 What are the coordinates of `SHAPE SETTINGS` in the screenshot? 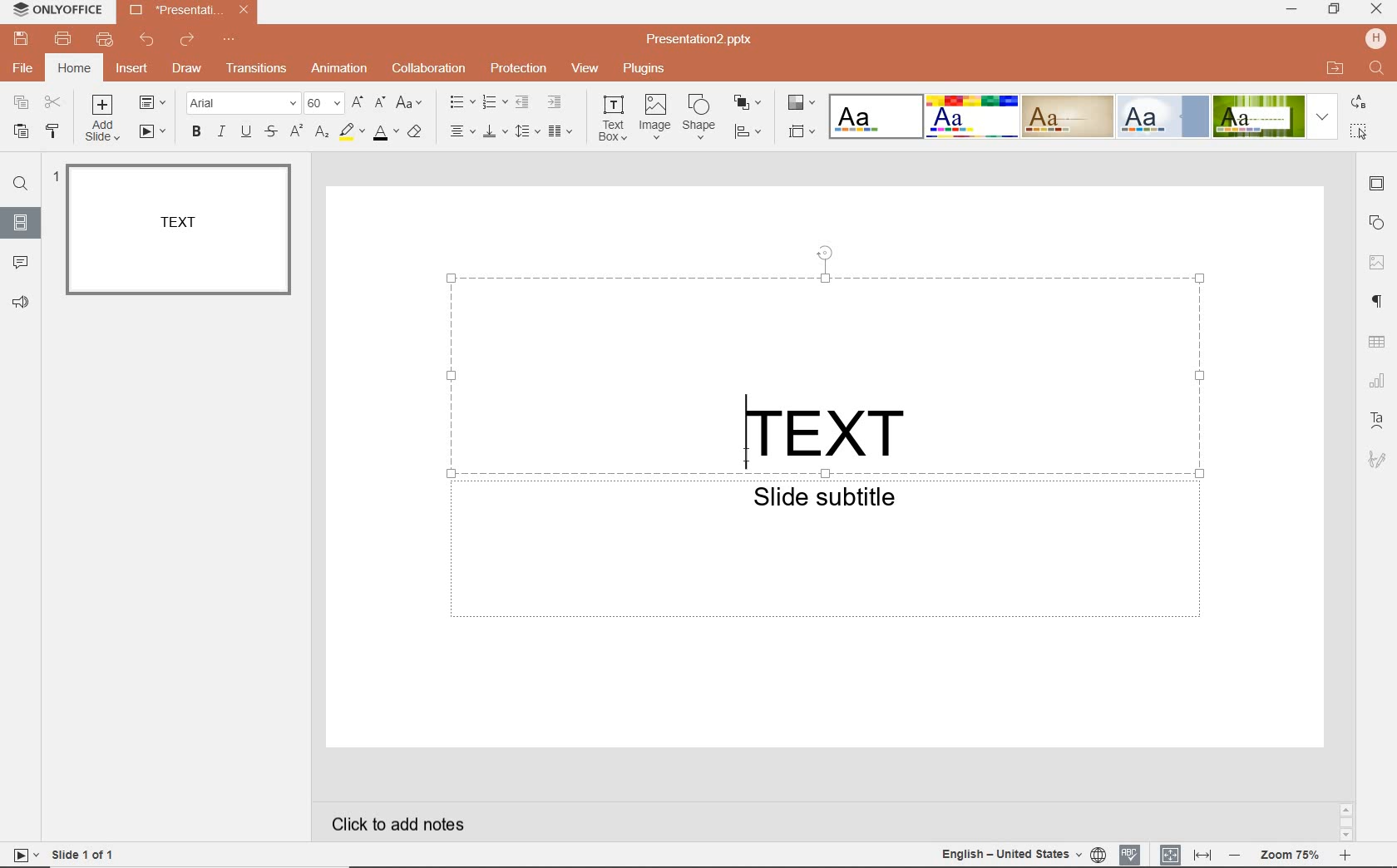 It's located at (1376, 225).